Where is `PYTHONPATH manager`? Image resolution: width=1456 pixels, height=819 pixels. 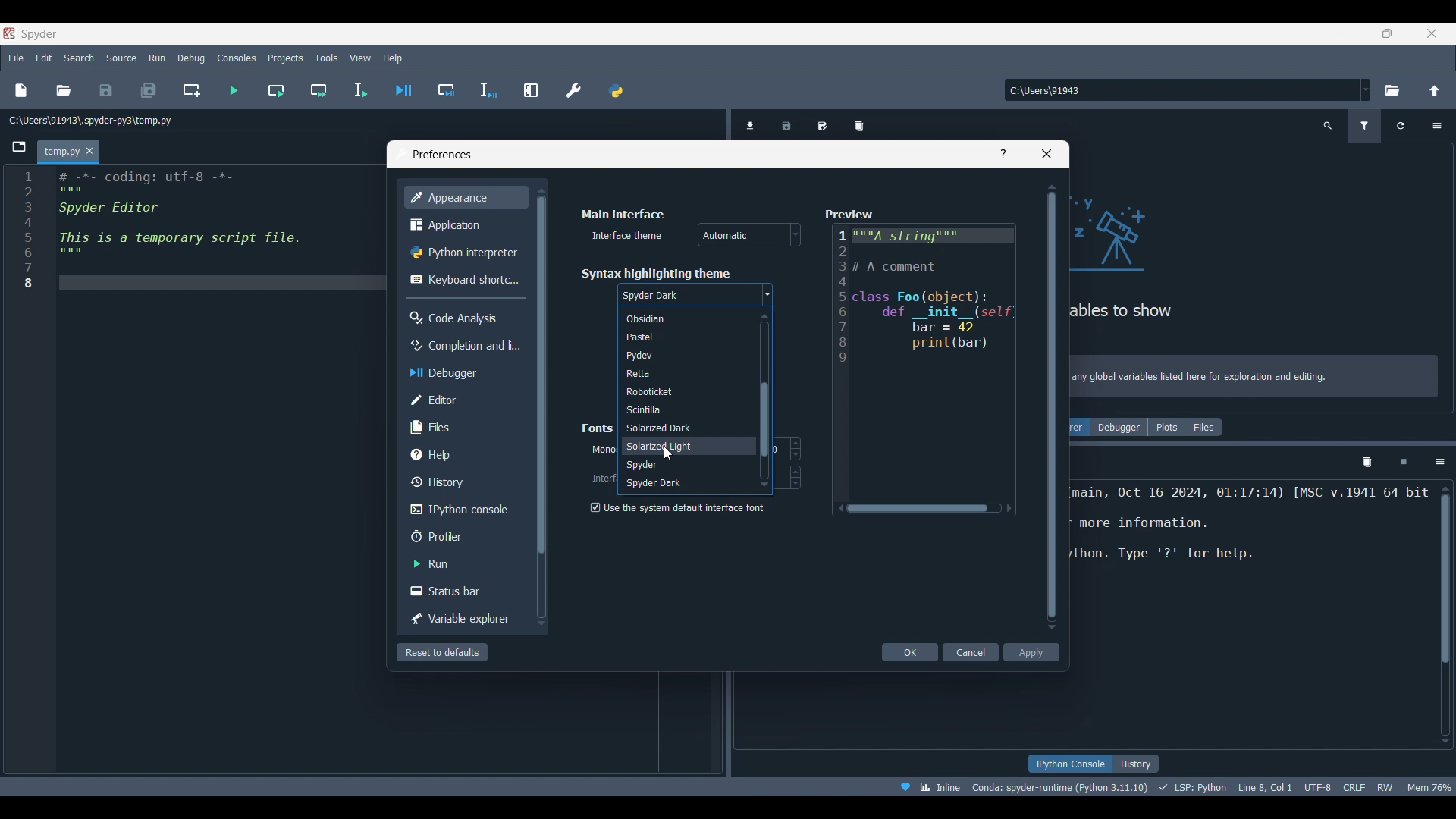 PYTHONPATH manager is located at coordinates (615, 88).